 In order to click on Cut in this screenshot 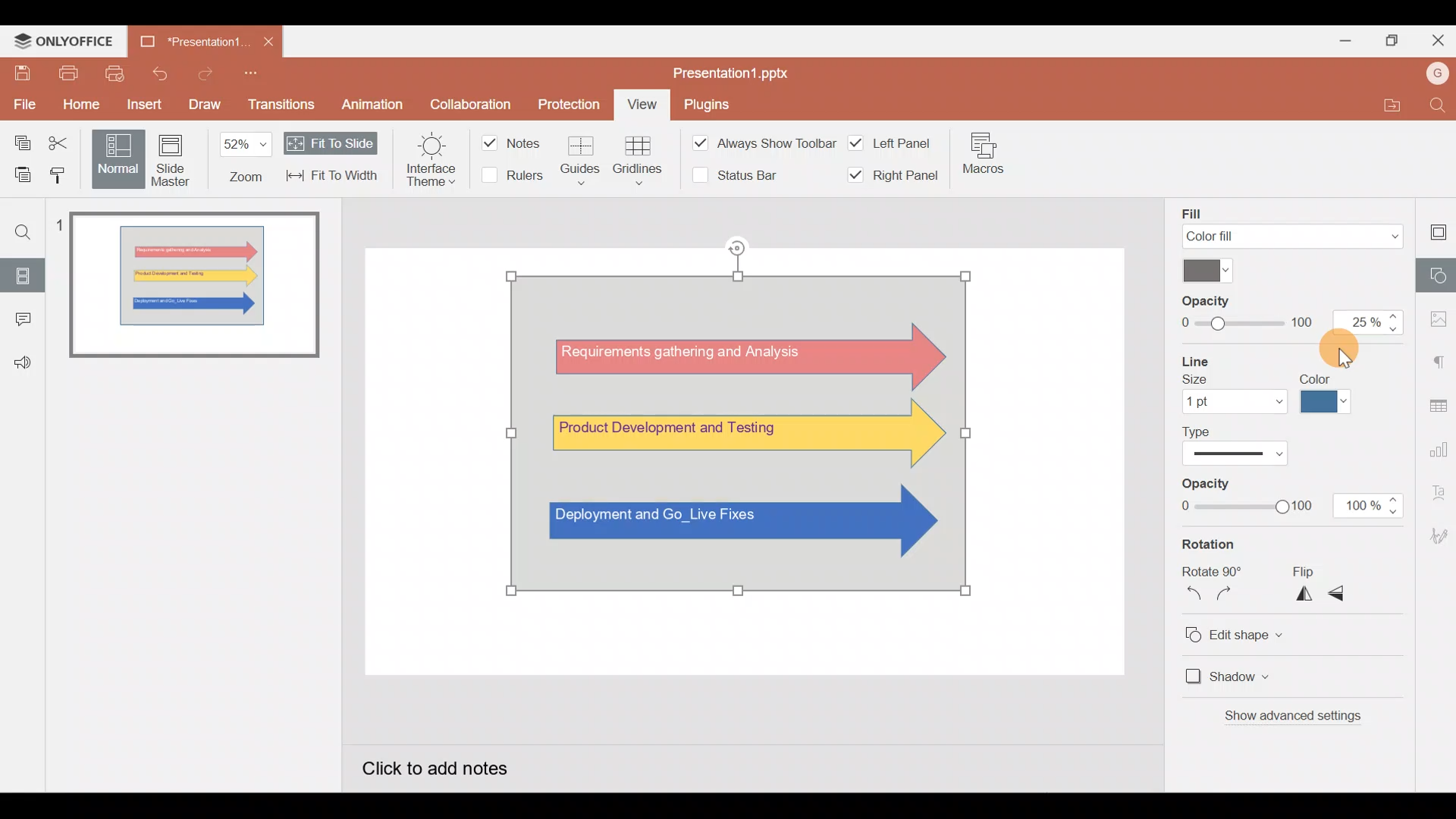, I will do `click(63, 141)`.